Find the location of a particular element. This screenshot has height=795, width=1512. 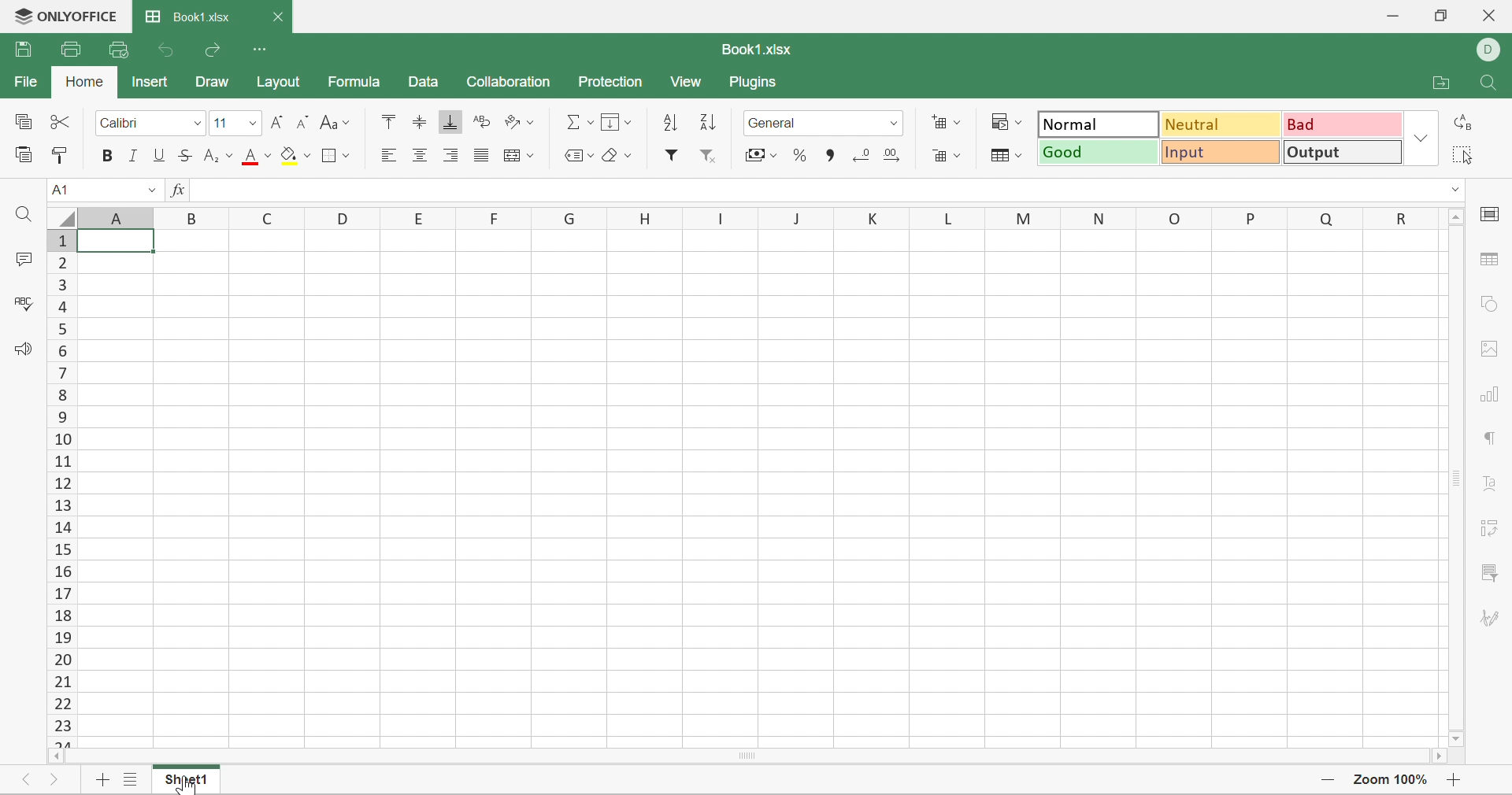

3 is located at coordinates (62, 284).